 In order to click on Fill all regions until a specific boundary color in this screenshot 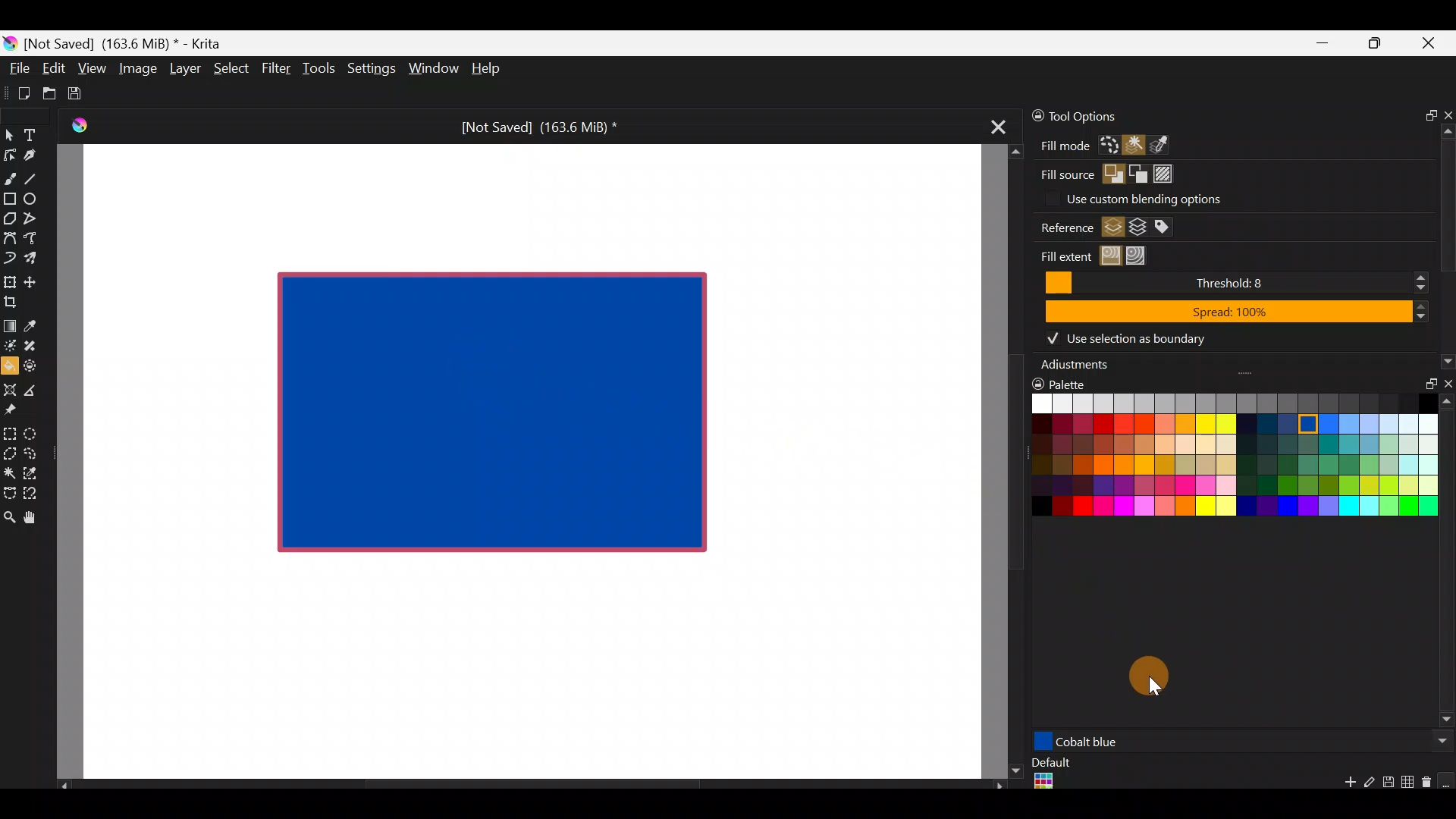, I will do `click(1141, 255)`.